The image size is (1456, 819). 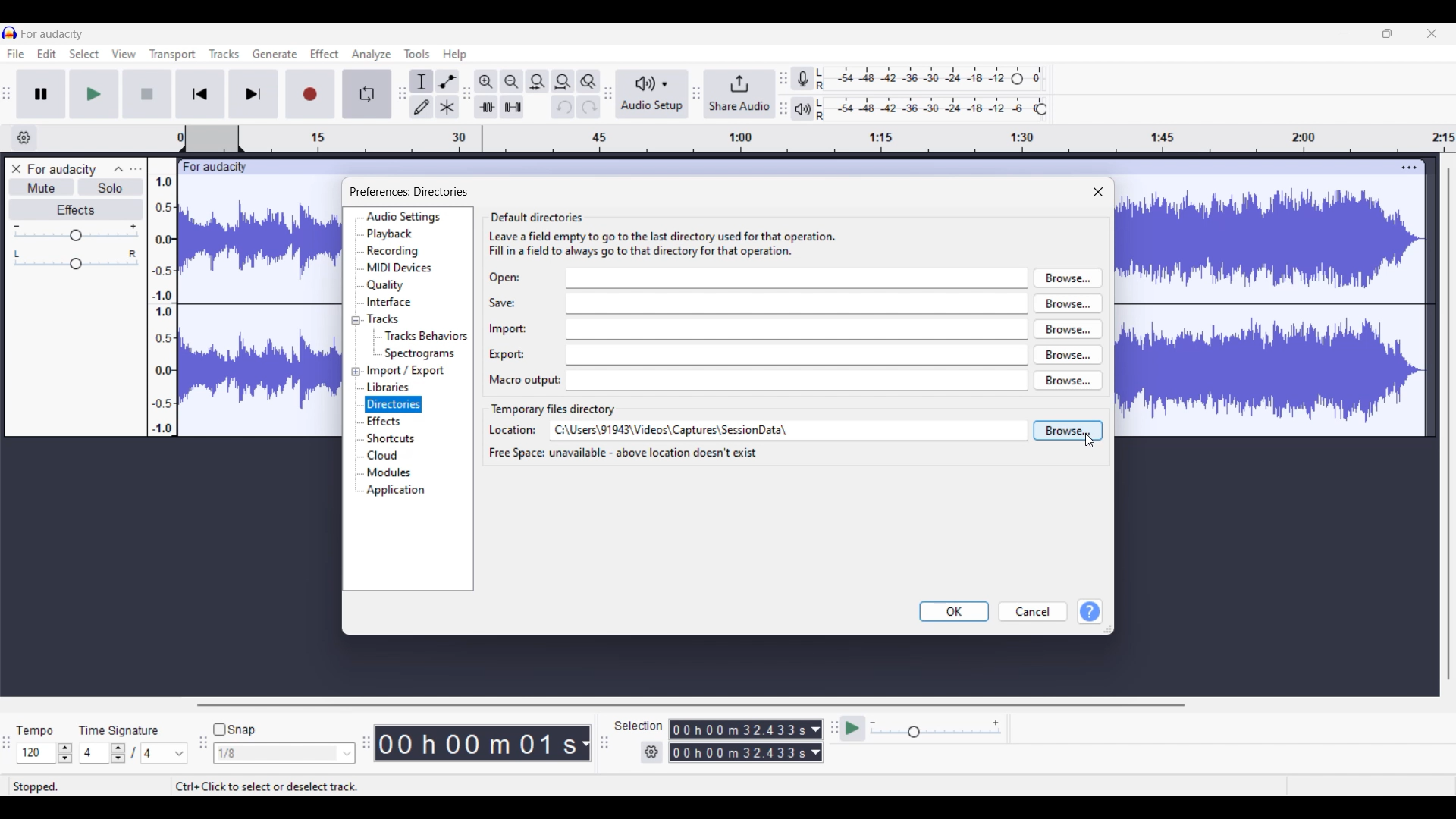 What do you see at coordinates (507, 356) in the screenshot?
I see `Indicates text box for Export` at bounding box center [507, 356].